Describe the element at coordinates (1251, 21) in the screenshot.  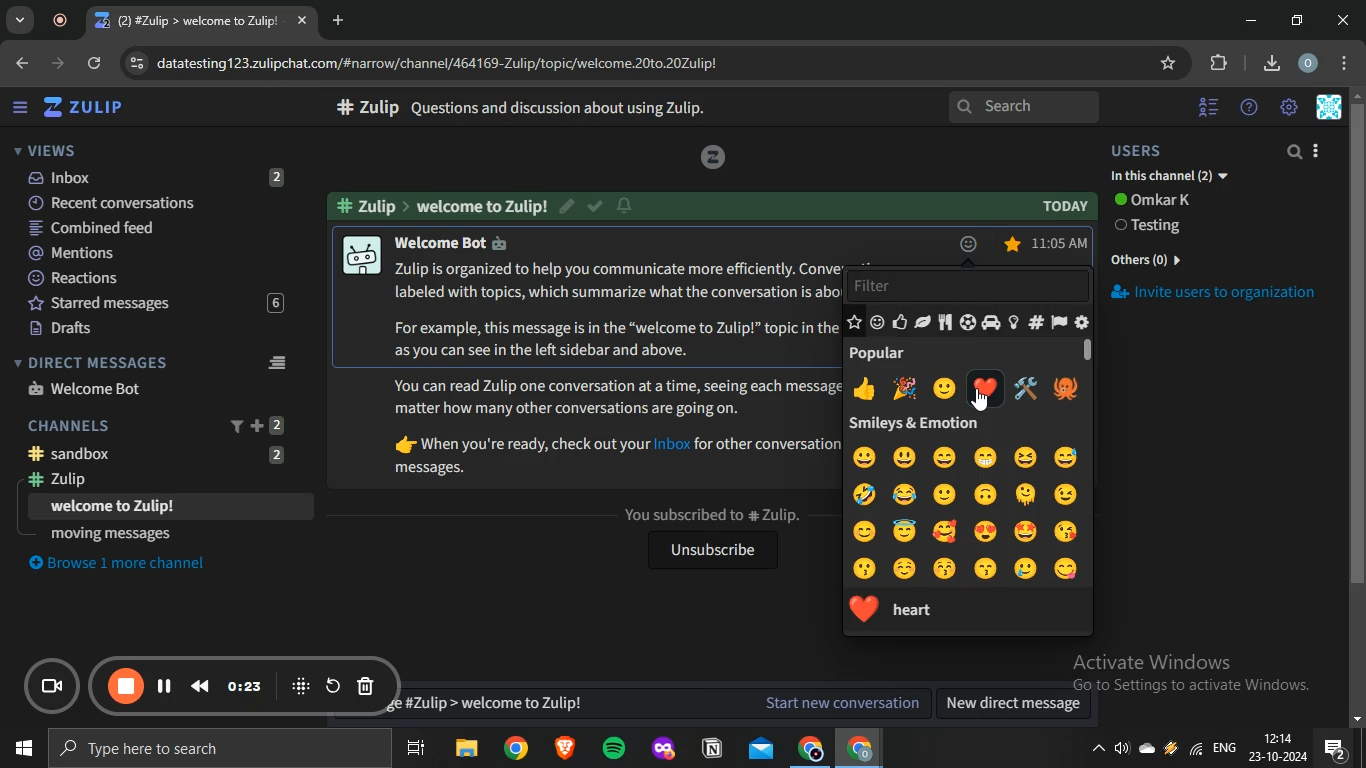
I see `minimize` at that location.